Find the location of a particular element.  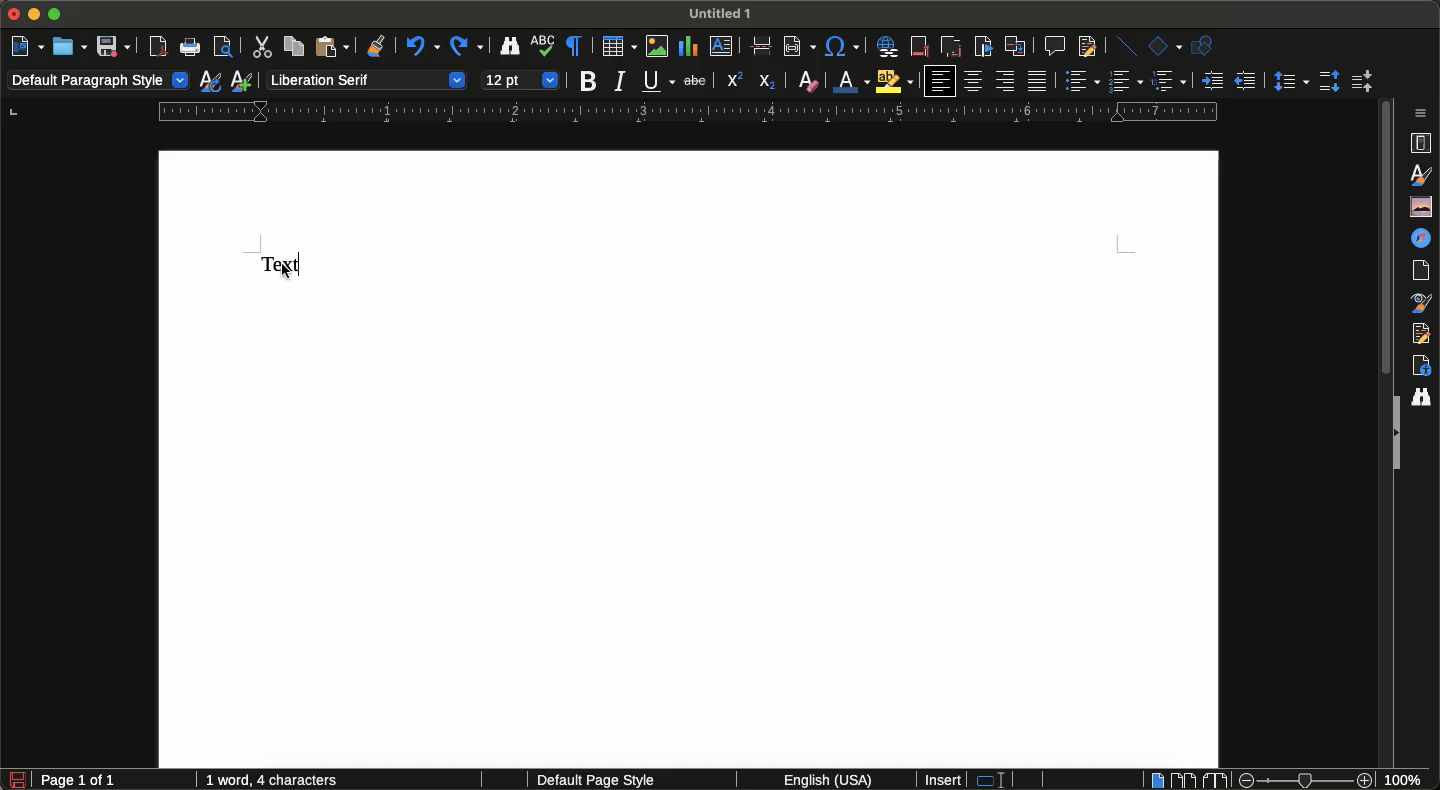

Select outline format is located at coordinates (1169, 81).